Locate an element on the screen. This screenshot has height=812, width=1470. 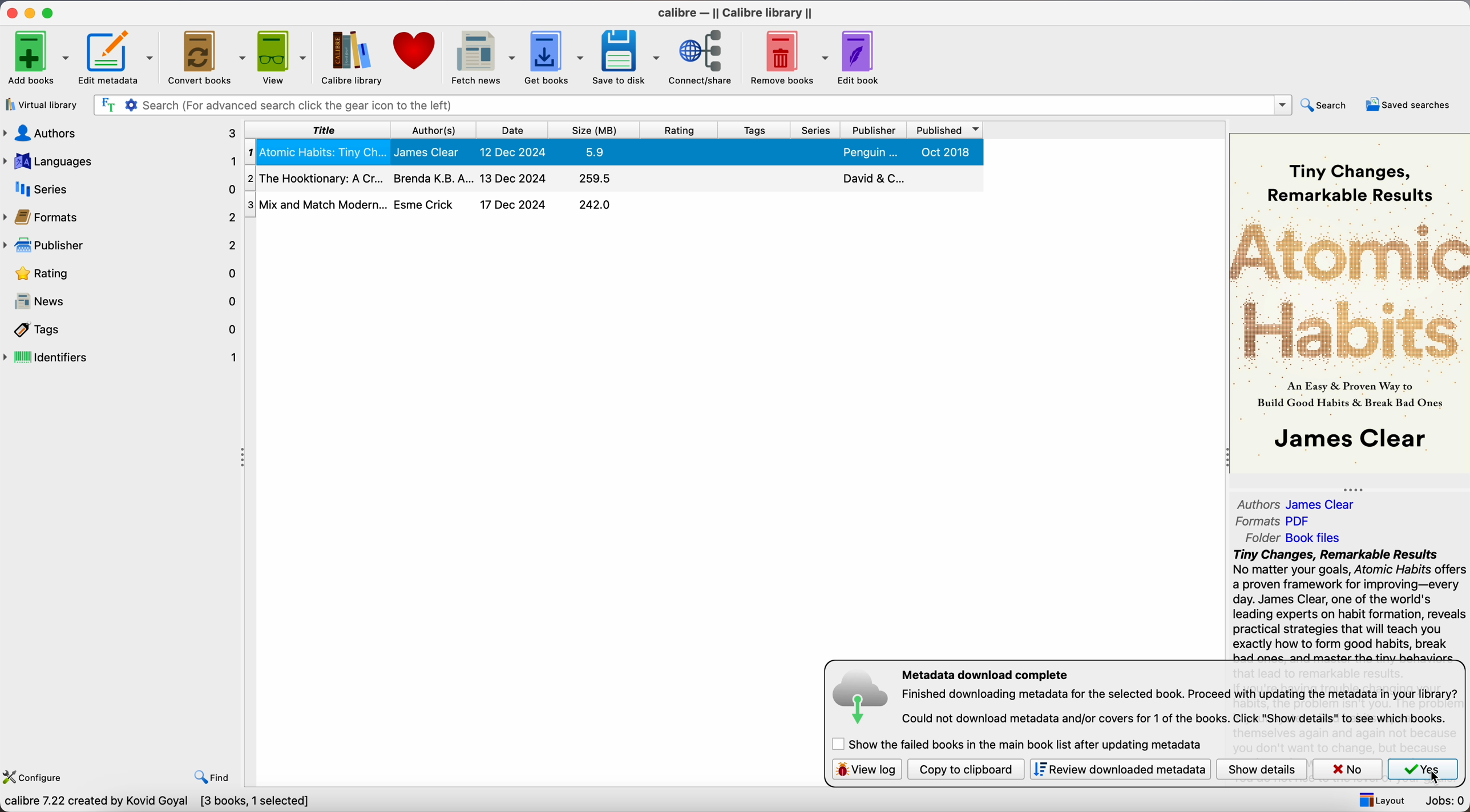
no is located at coordinates (1348, 769).